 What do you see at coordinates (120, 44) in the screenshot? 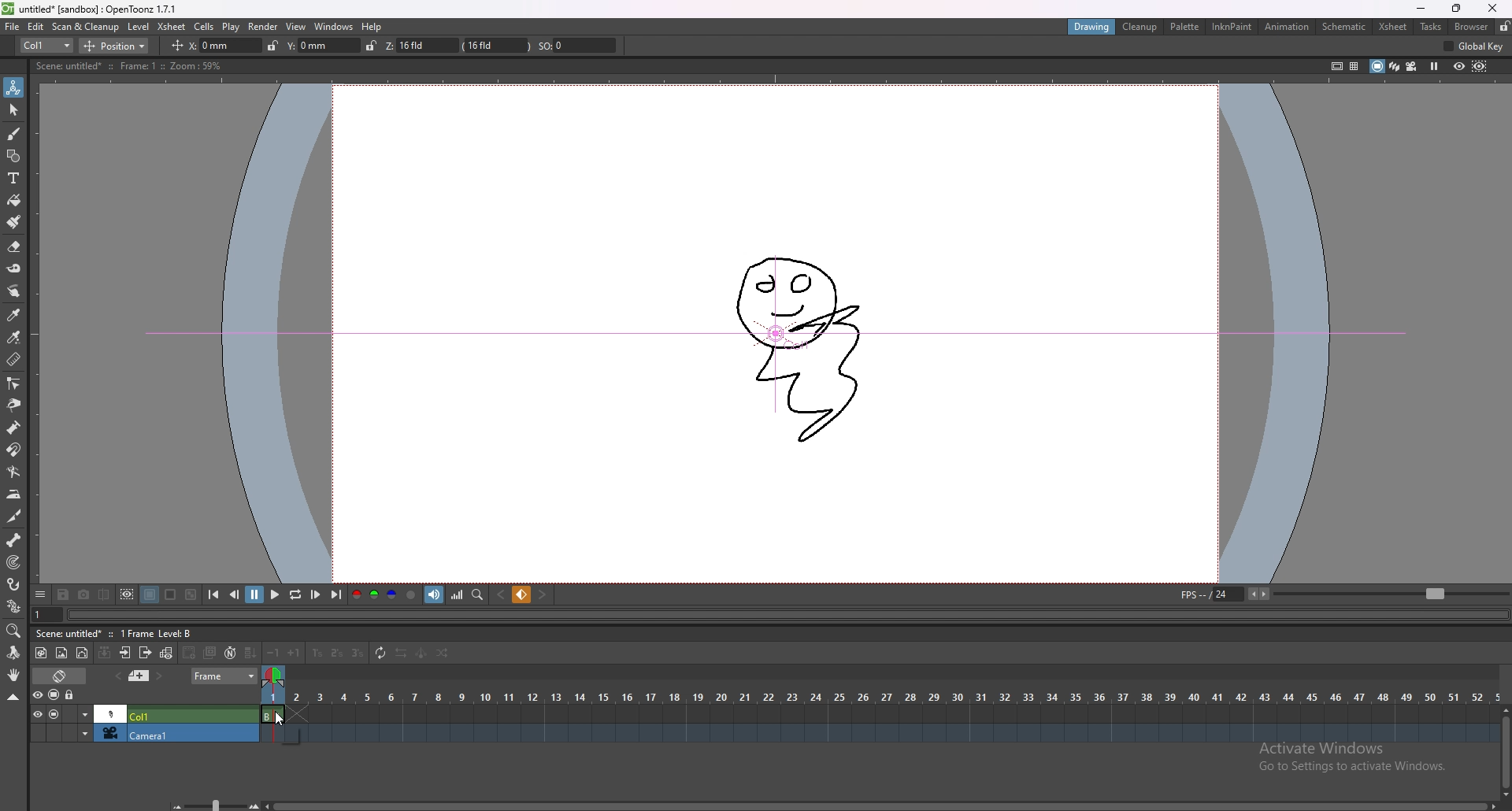
I see `Position` at bounding box center [120, 44].